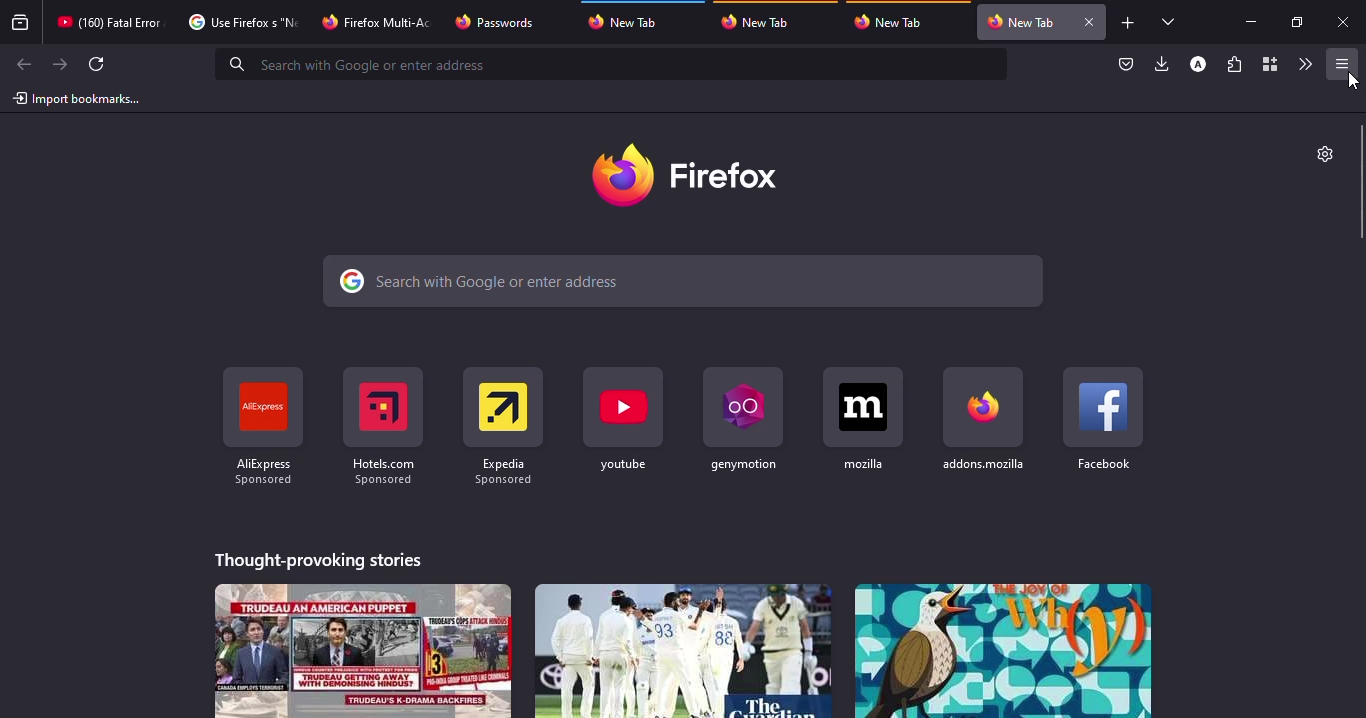 Image resolution: width=1366 pixels, height=718 pixels. I want to click on view tab, so click(1169, 21).